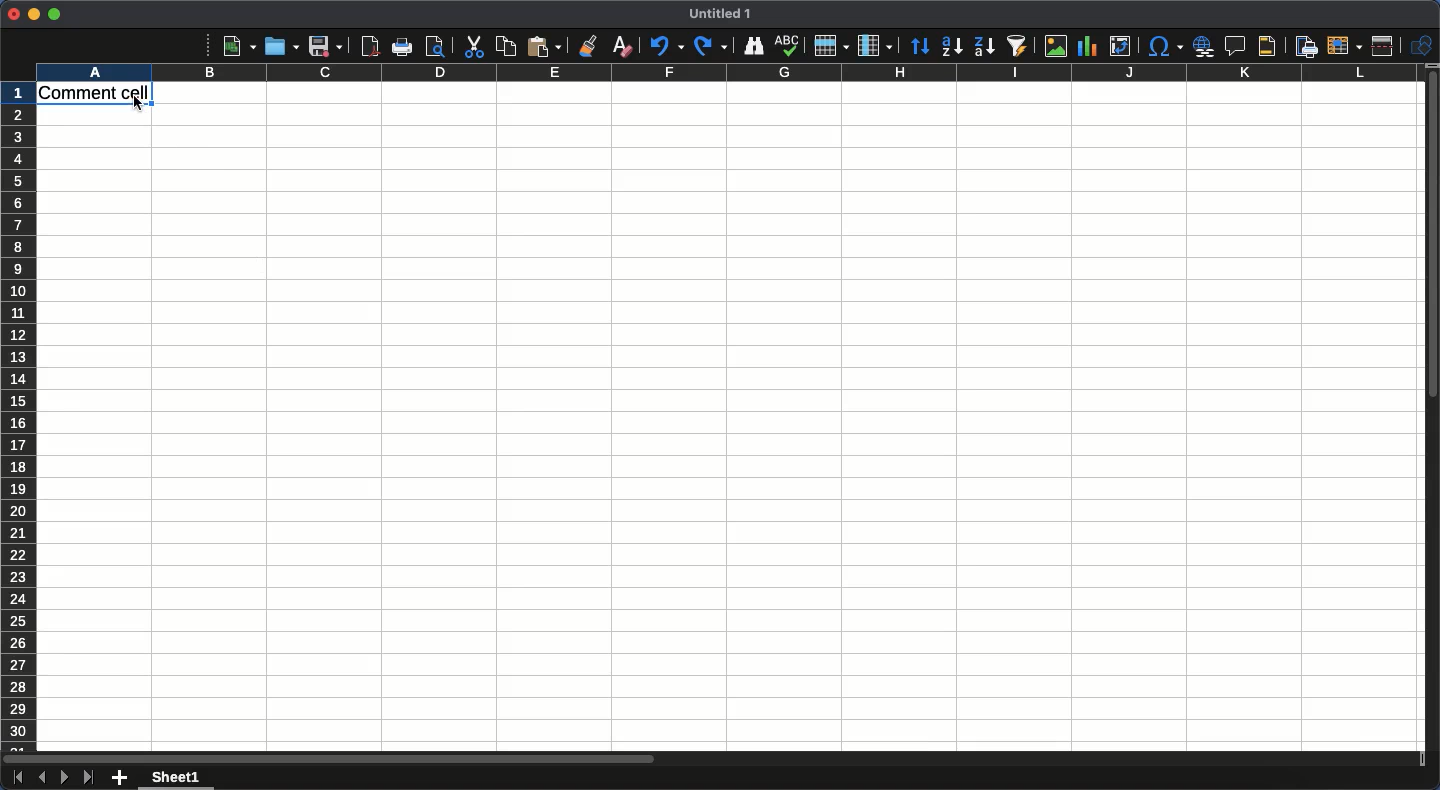 The height and width of the screenshot is (790, 1440). I want to click on Sheet 1, so click(179, 778).